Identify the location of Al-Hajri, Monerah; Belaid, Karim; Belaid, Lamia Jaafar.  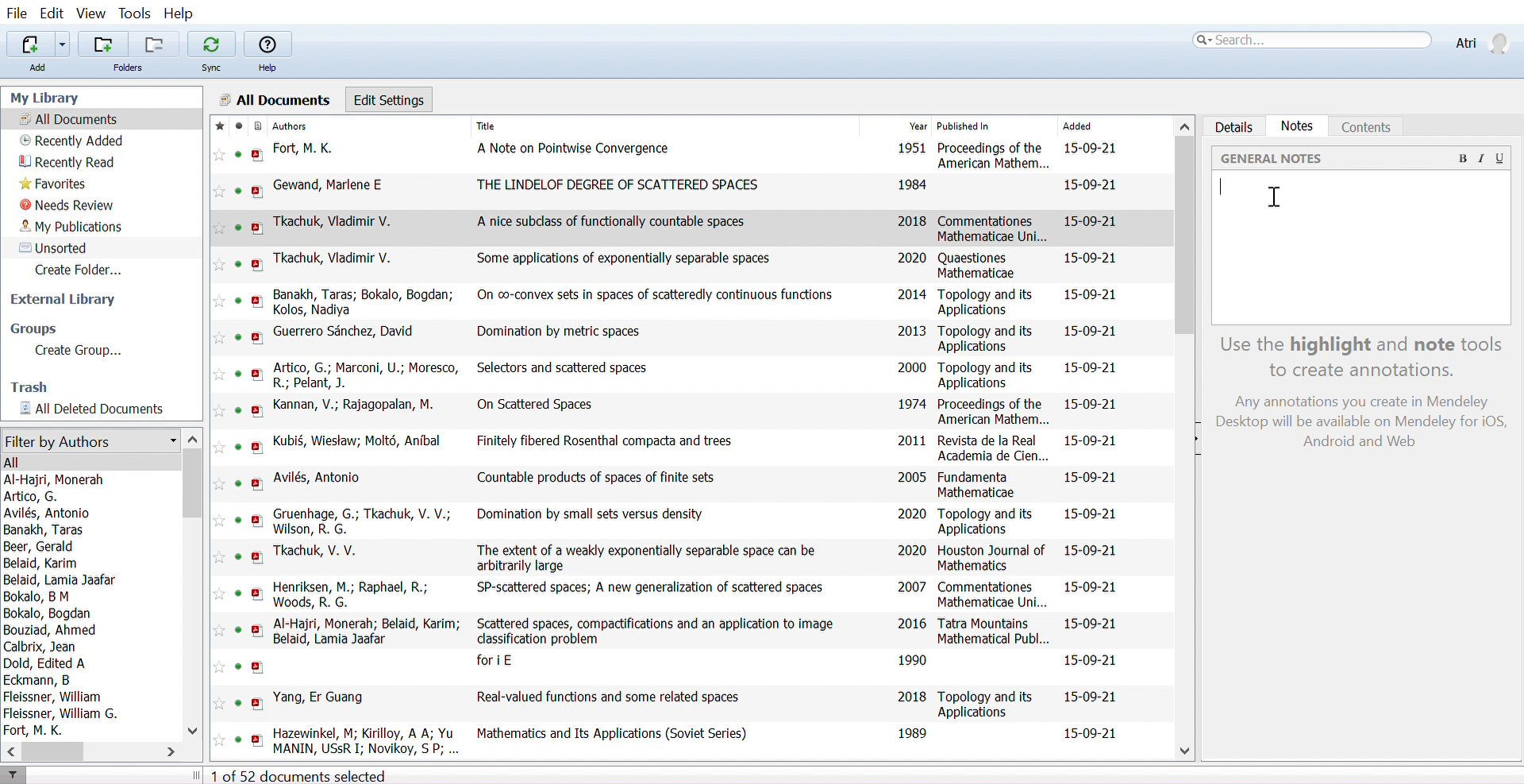
(370, 632).